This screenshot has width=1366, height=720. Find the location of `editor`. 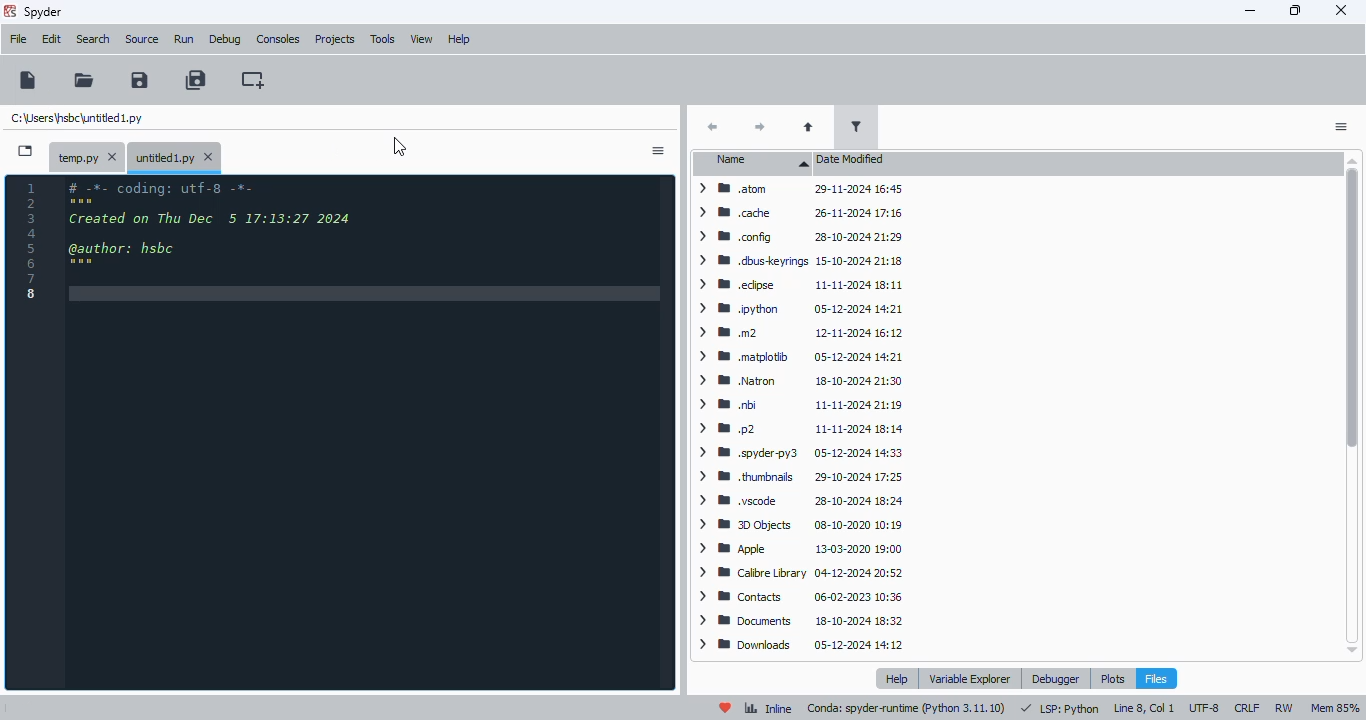

editor is located at coordinates (367, 433).